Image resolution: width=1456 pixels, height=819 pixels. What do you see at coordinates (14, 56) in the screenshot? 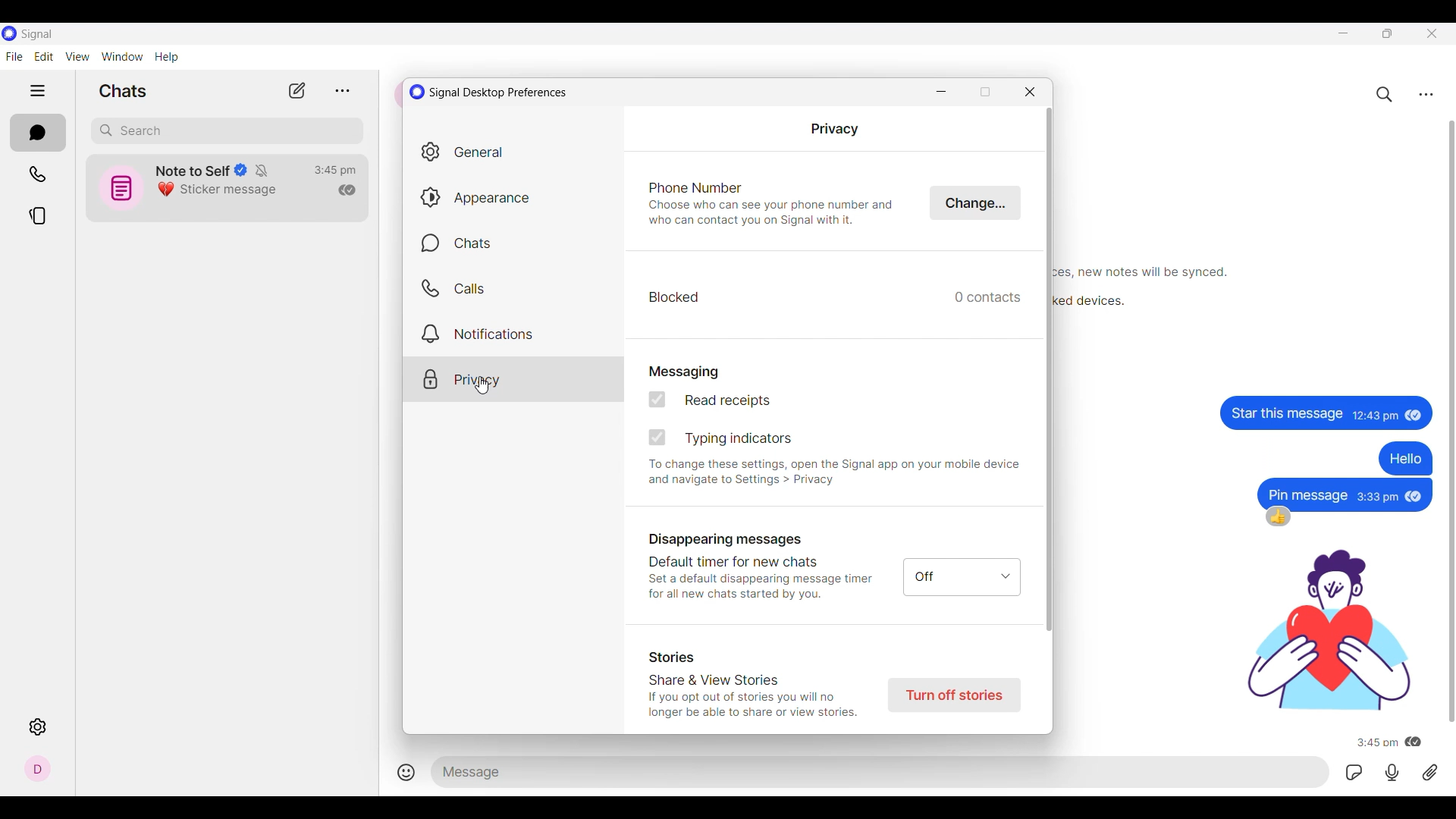
I see `File menu ` at bounding box center [14, 56].